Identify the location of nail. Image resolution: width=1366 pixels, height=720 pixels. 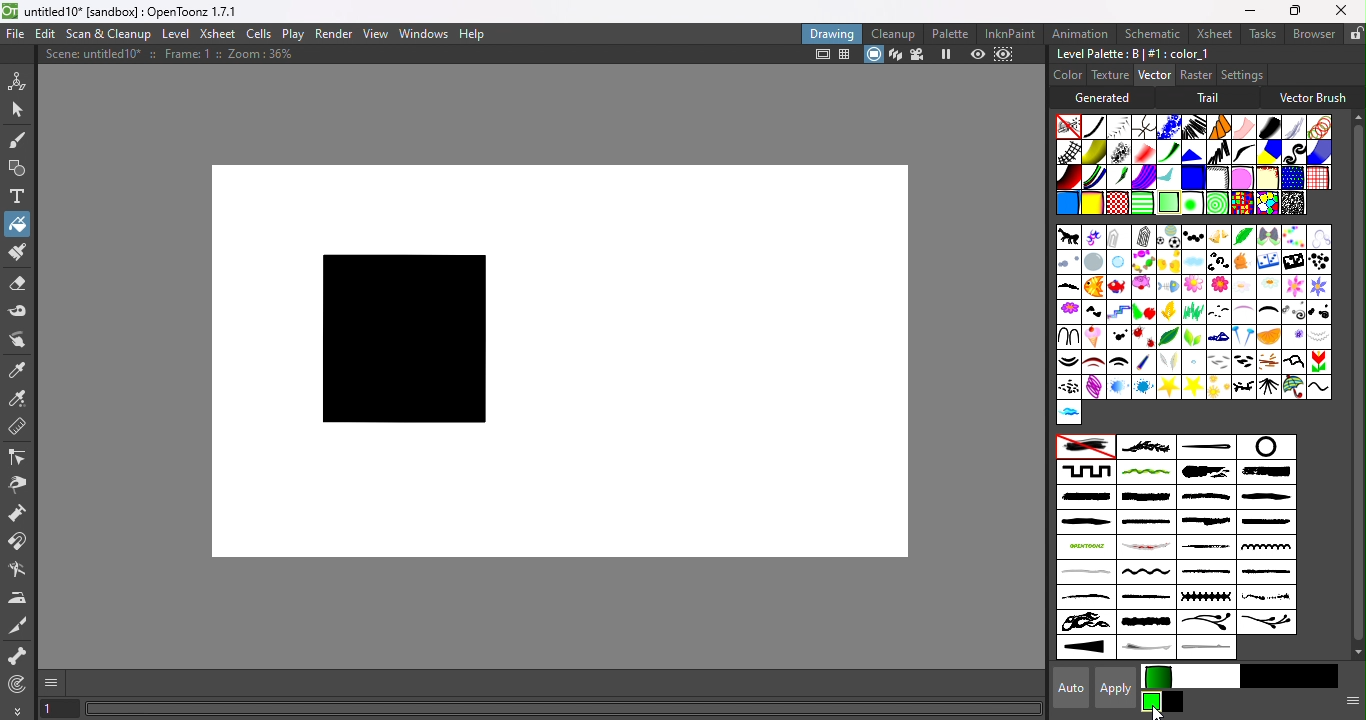
(1242, 338).